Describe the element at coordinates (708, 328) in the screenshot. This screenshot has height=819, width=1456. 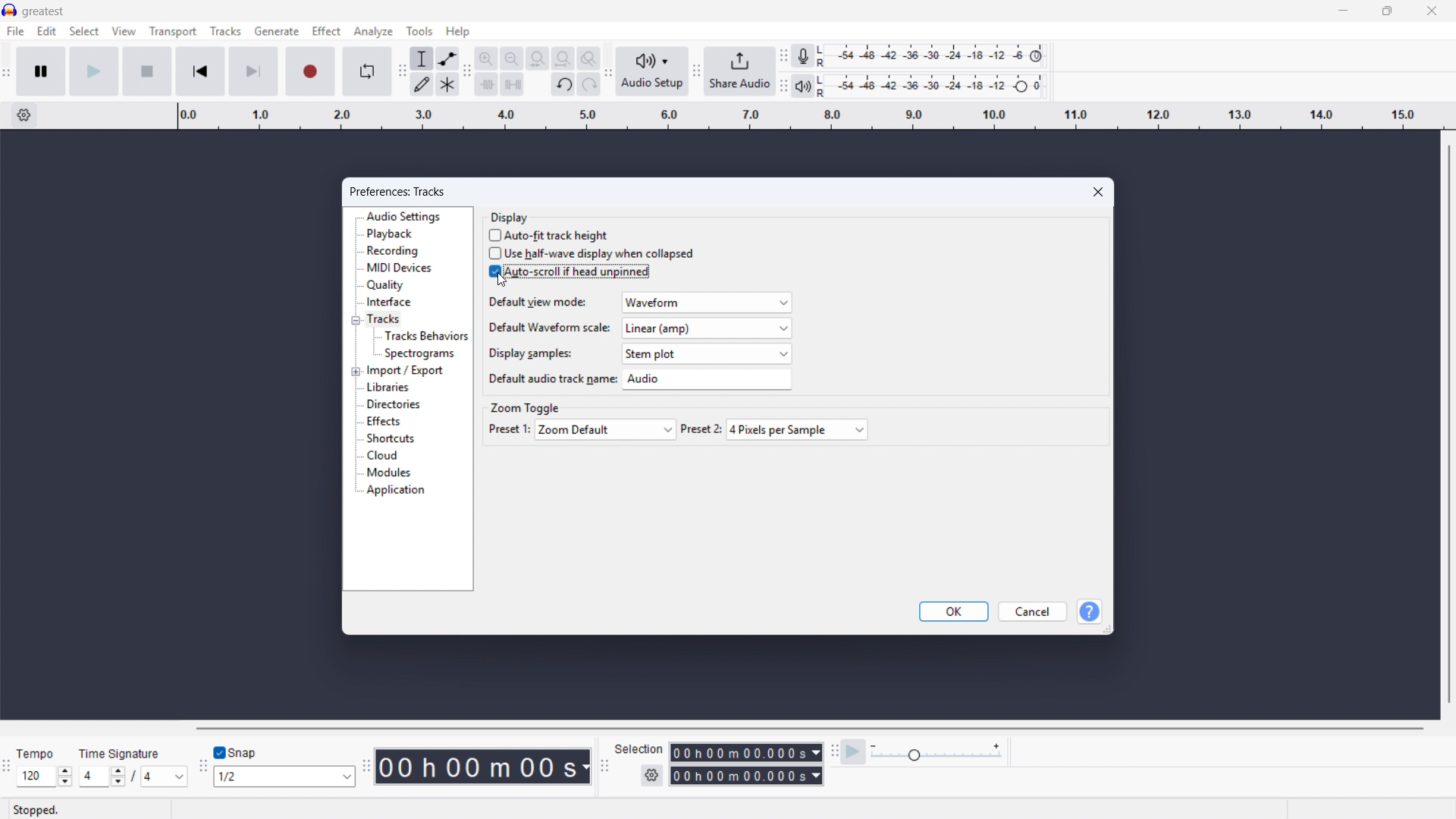
I see `Default waveform scale ` at that location.